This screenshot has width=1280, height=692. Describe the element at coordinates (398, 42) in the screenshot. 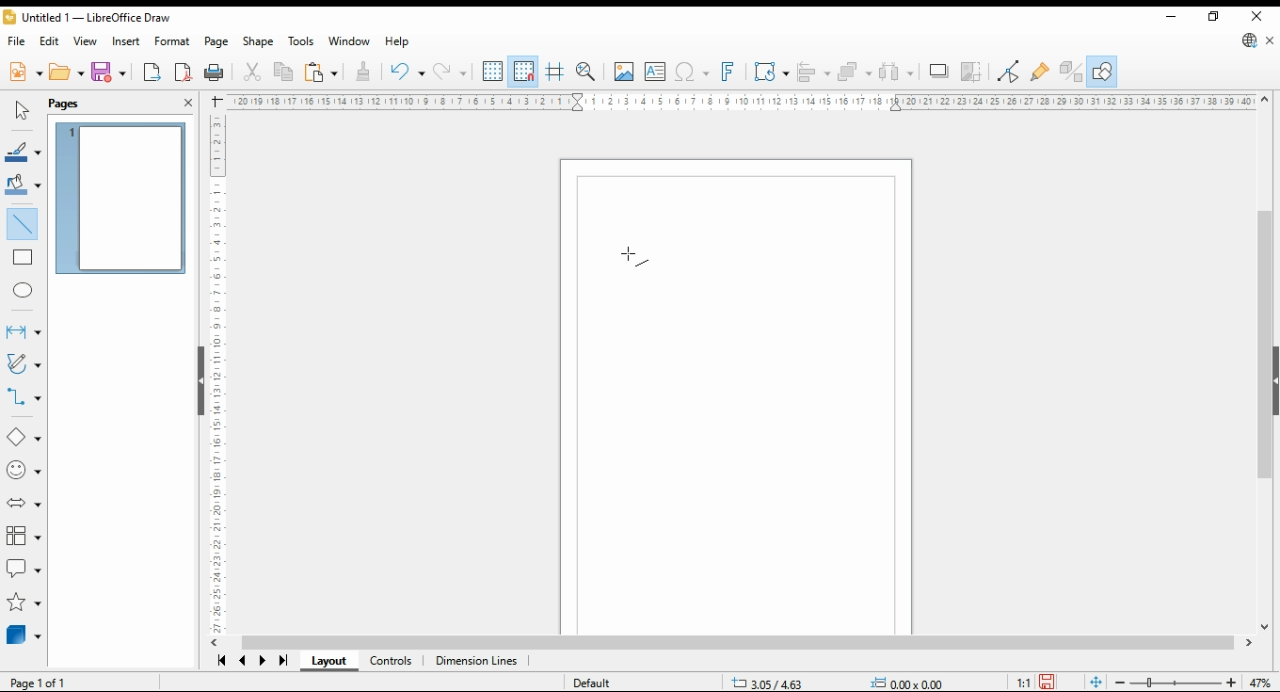

I see `help` at that location.